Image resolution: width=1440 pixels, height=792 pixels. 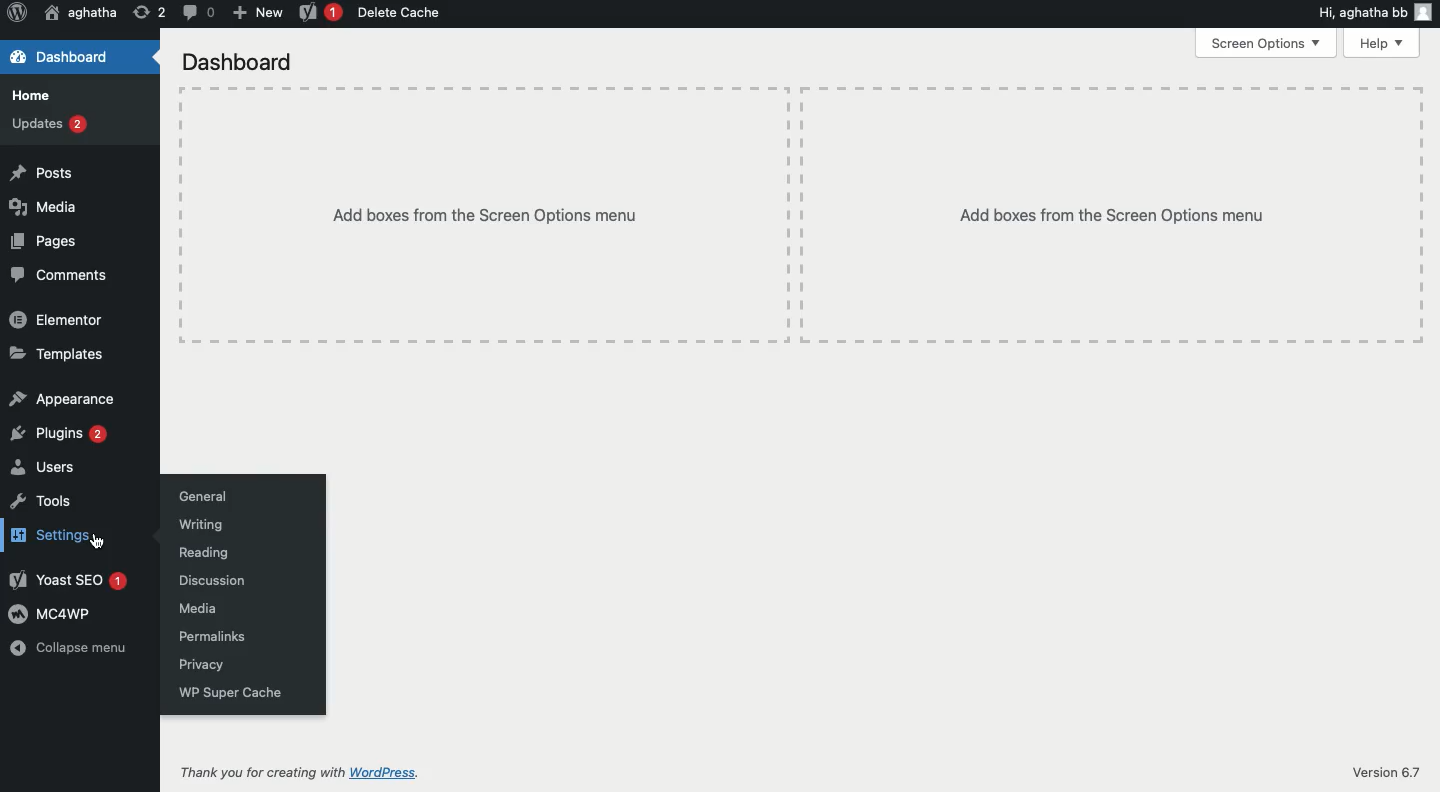 I want to click on Elementor, so click(x=54, y=320).